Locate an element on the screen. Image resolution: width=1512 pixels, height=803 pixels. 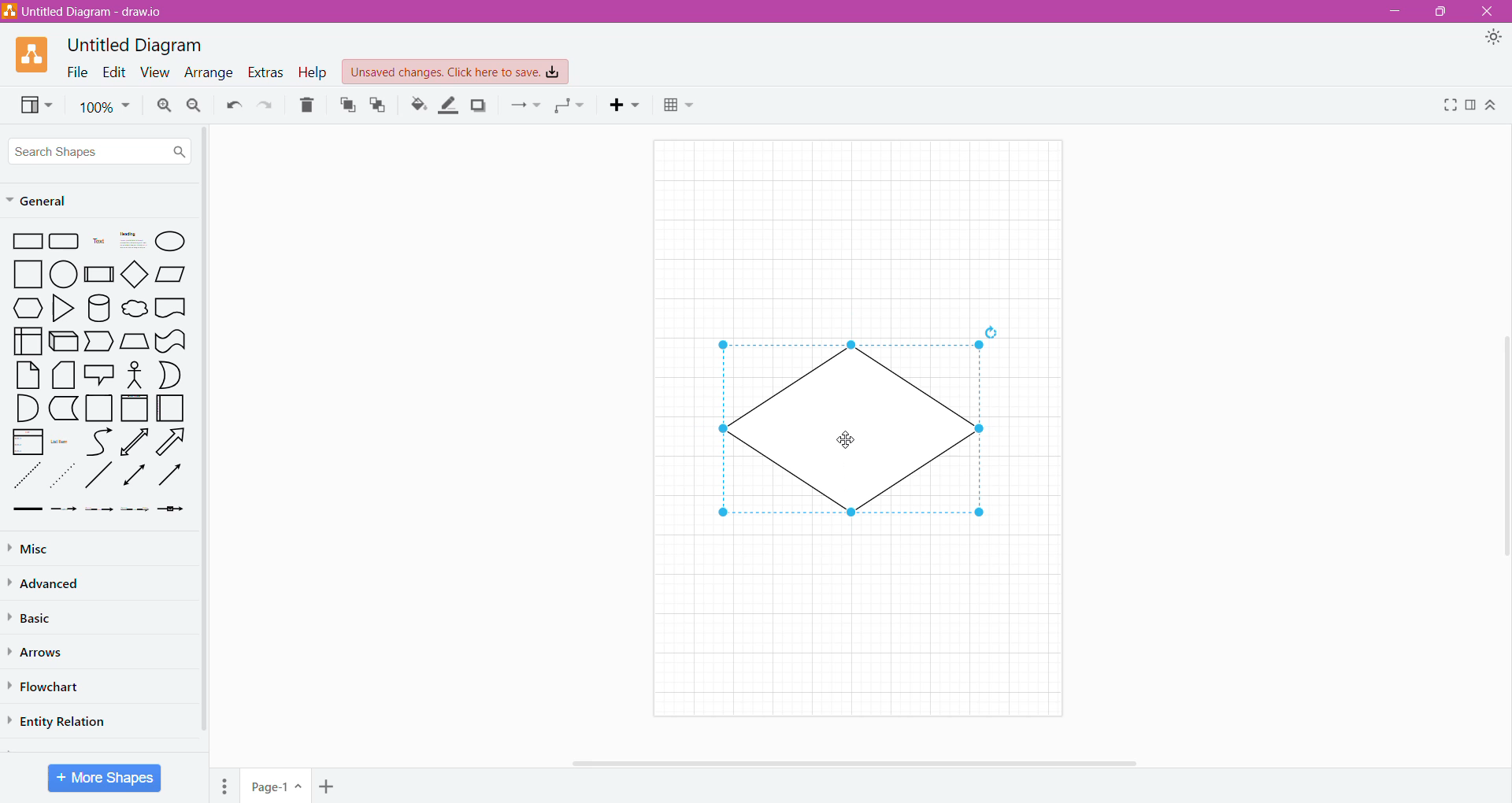
Step is located at coordinates (98, 342).